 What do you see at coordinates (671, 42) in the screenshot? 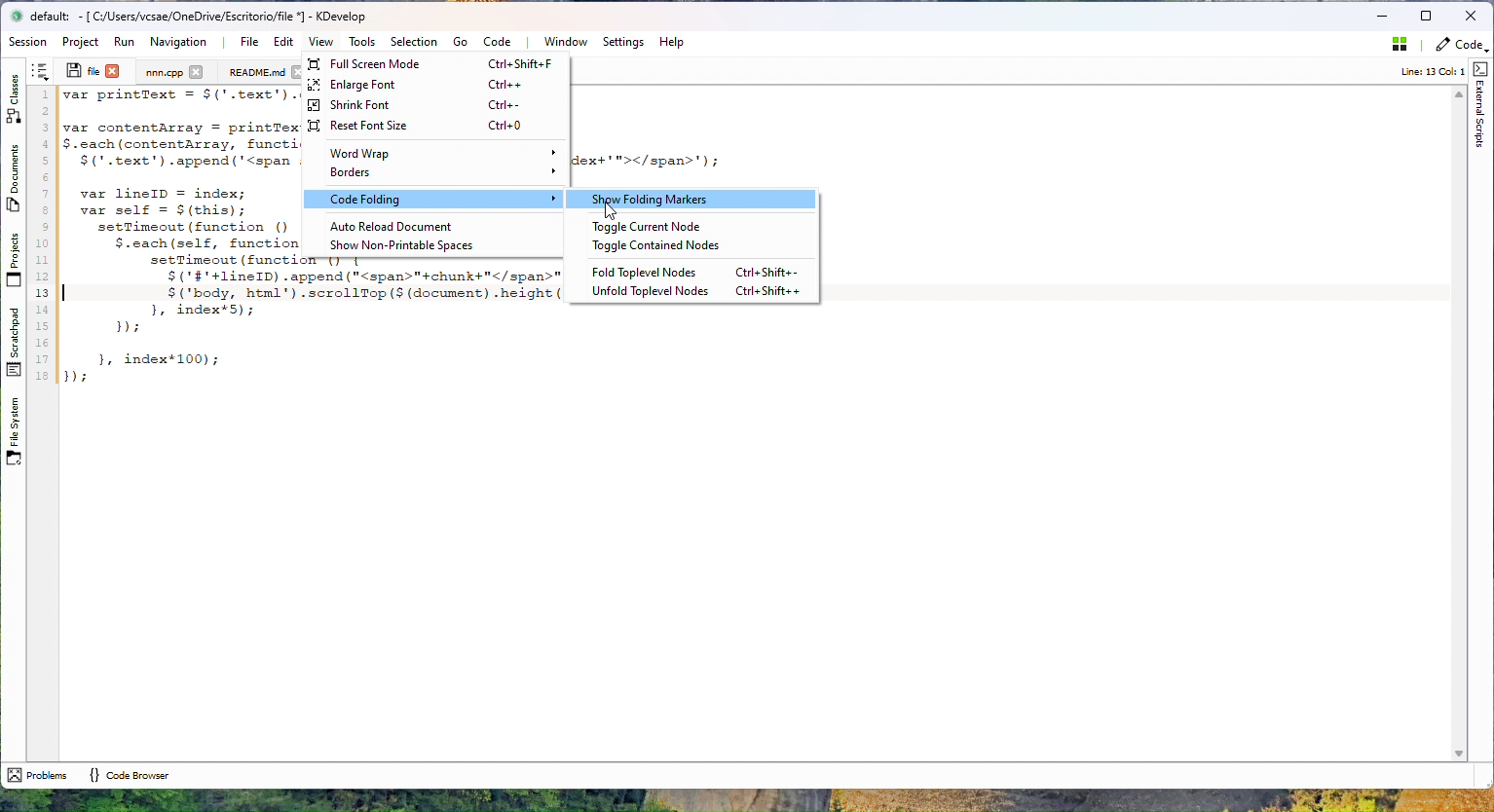
I see `Help` at bounding box center [671, 42].